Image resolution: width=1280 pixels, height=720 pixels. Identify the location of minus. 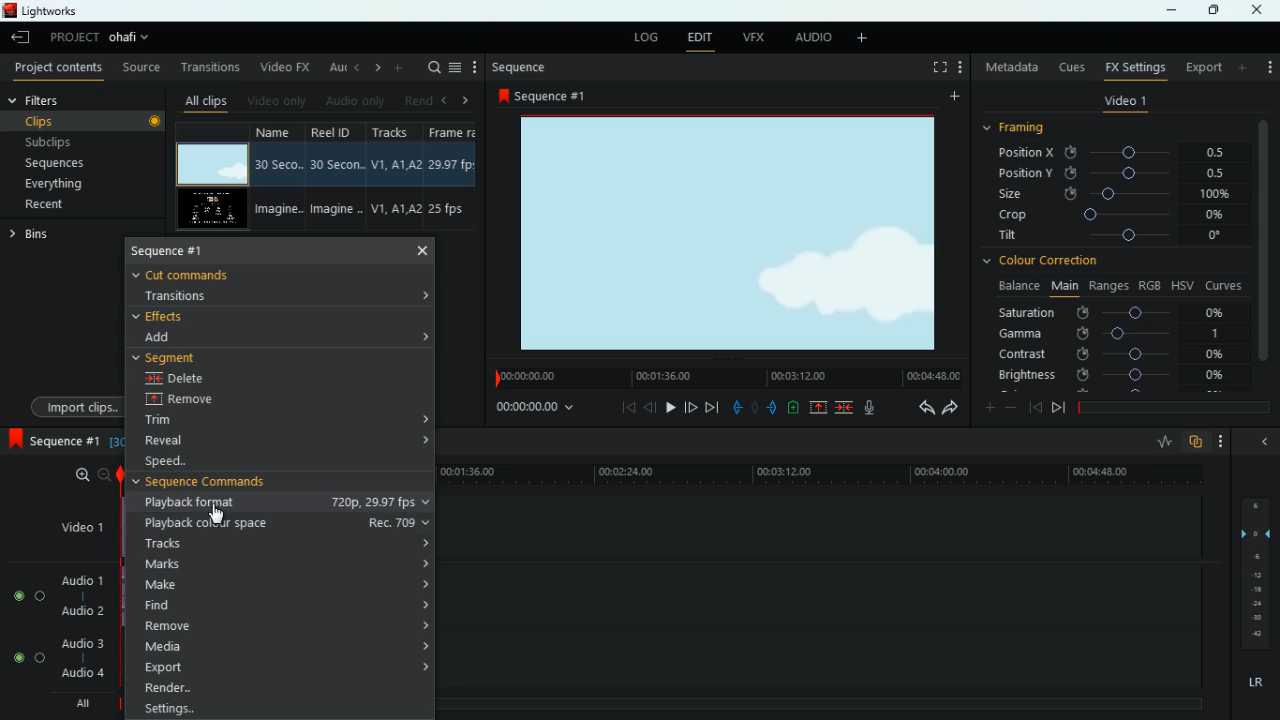
(1010, 407).